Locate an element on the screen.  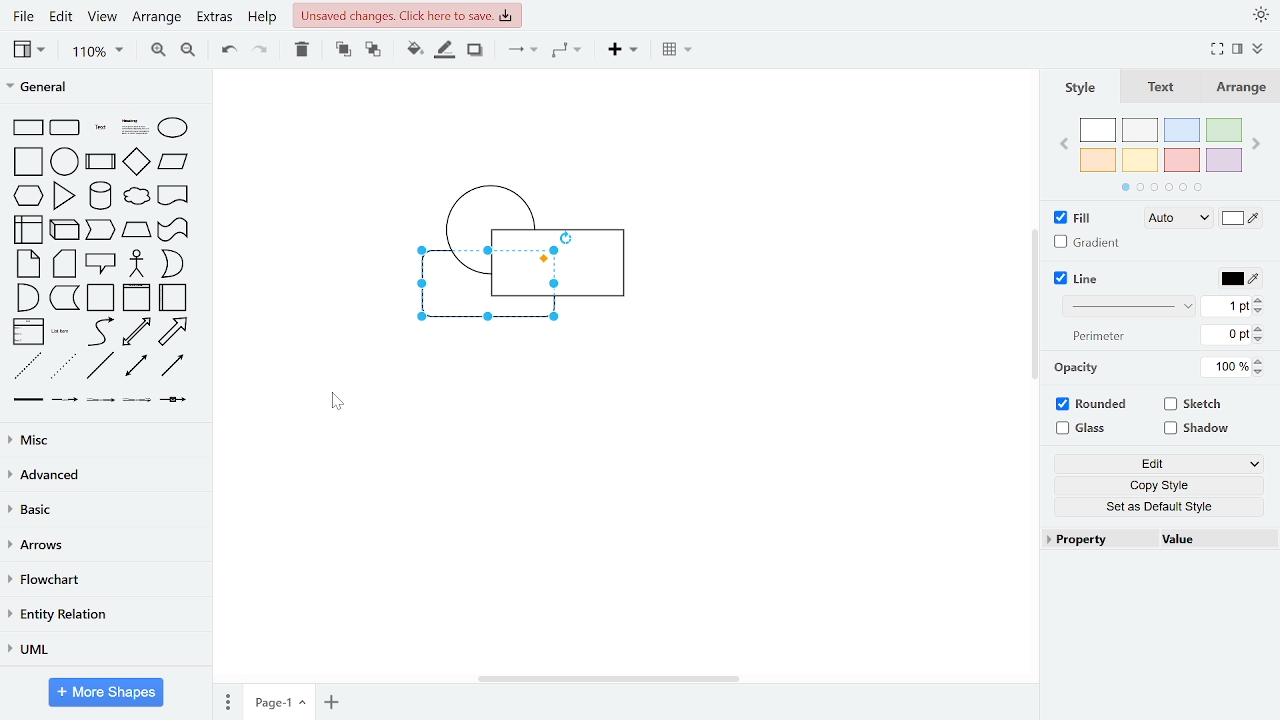
ash is located at coordinates (1139, 129).